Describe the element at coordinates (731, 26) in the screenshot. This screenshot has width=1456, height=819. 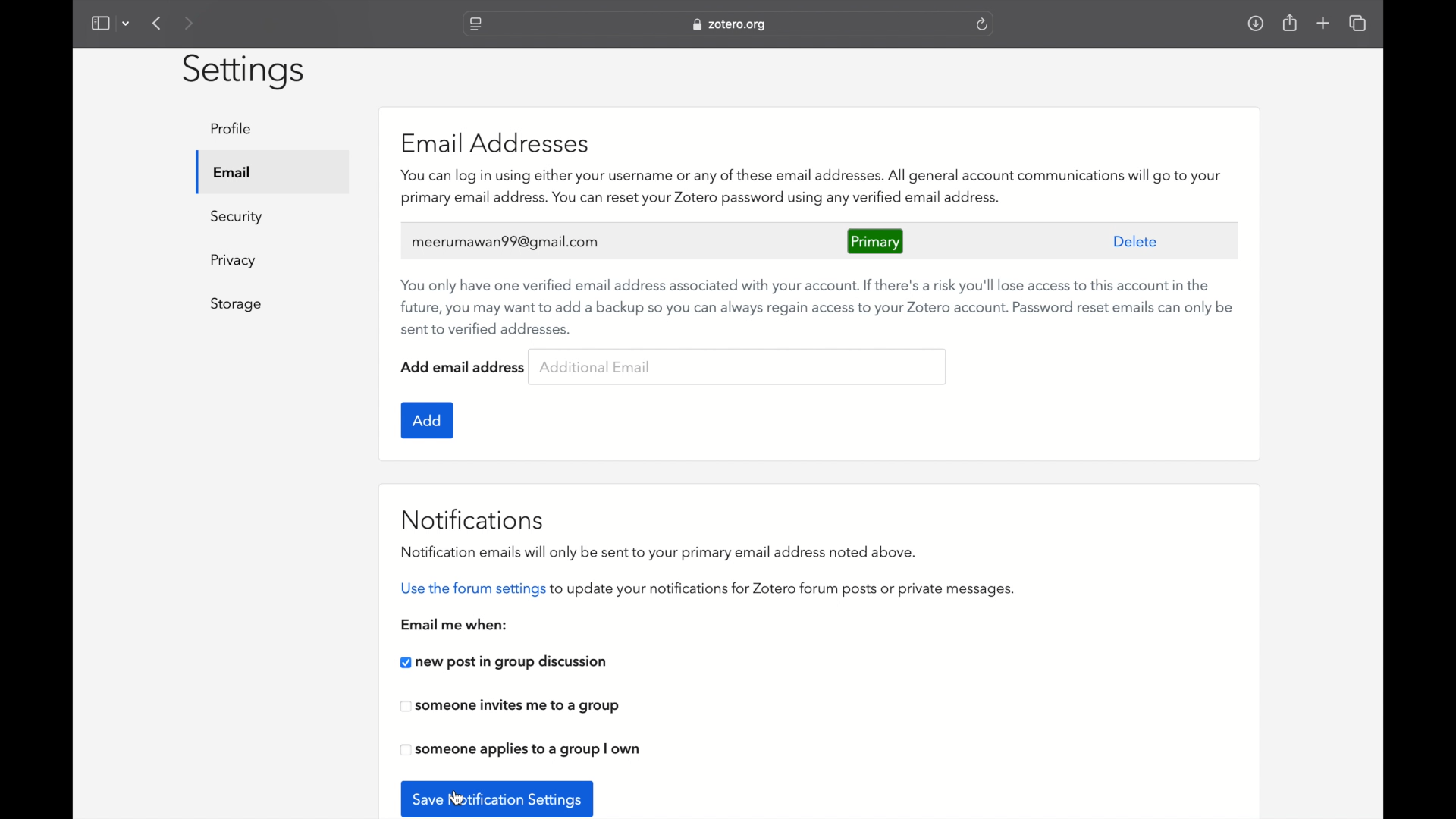
I see `web address` at that location.